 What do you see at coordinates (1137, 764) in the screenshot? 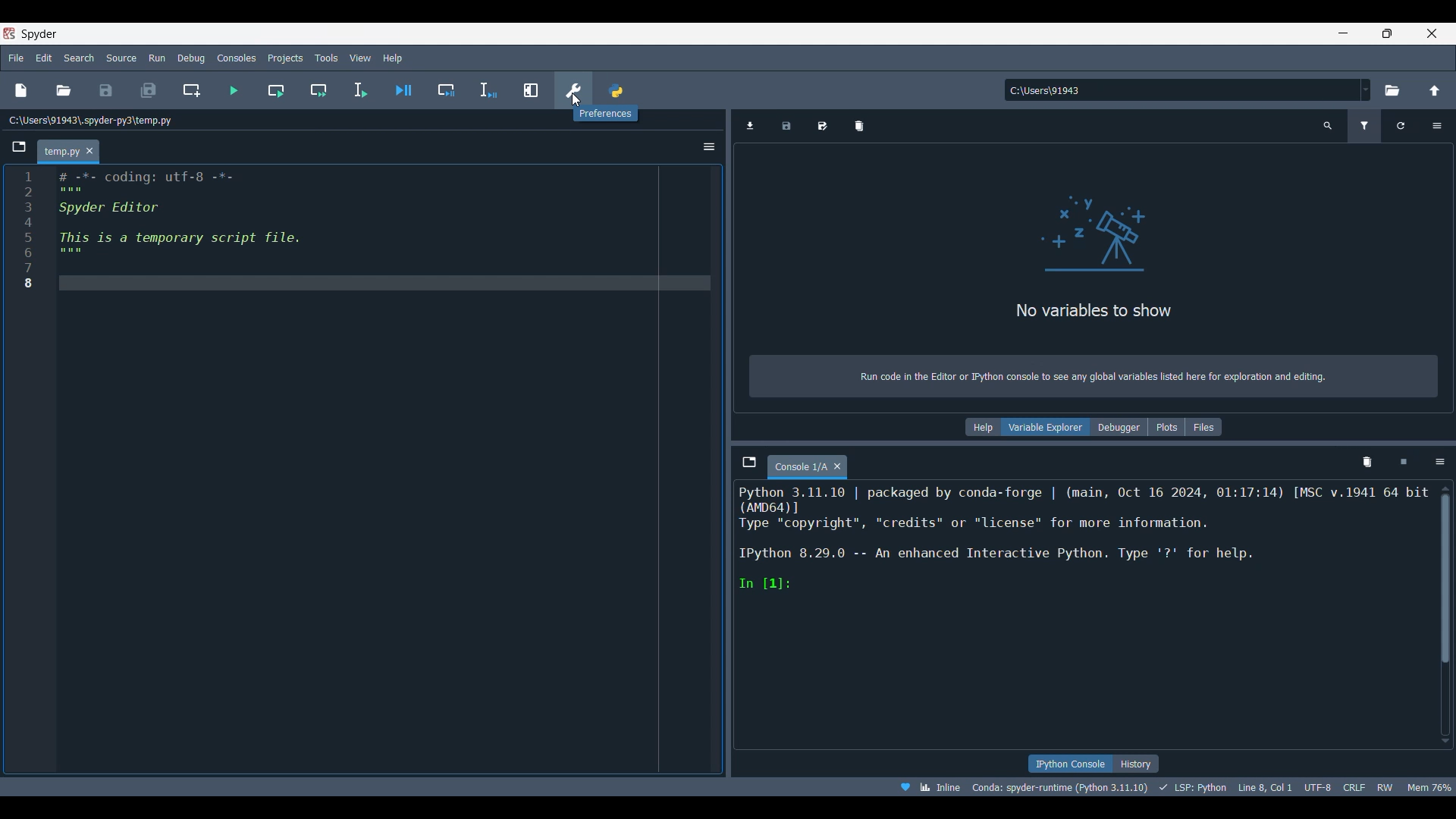
I see `History` at bounding box center [1137, 764].